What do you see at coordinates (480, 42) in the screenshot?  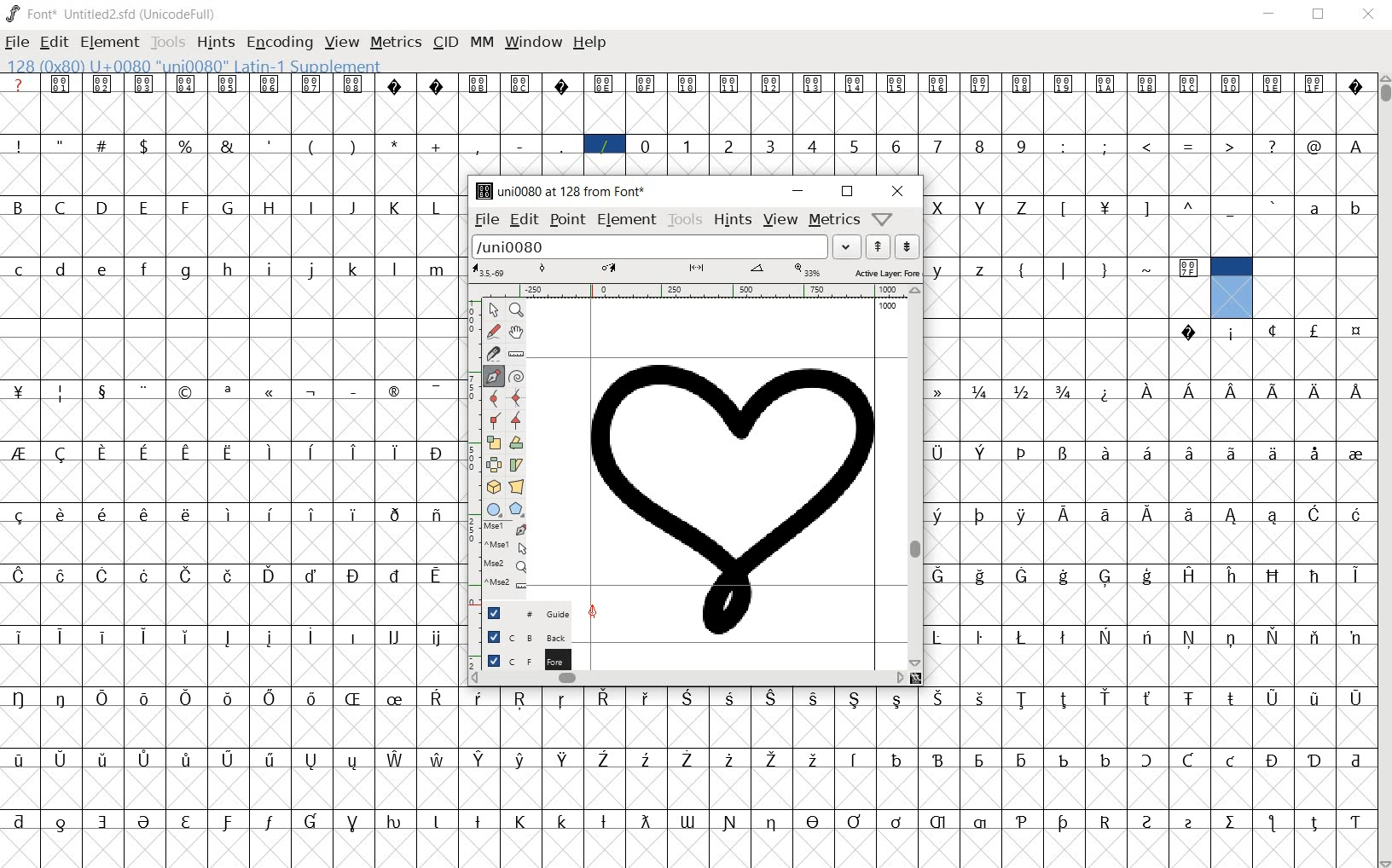 I see `MM` at bounding box center [480, 42].